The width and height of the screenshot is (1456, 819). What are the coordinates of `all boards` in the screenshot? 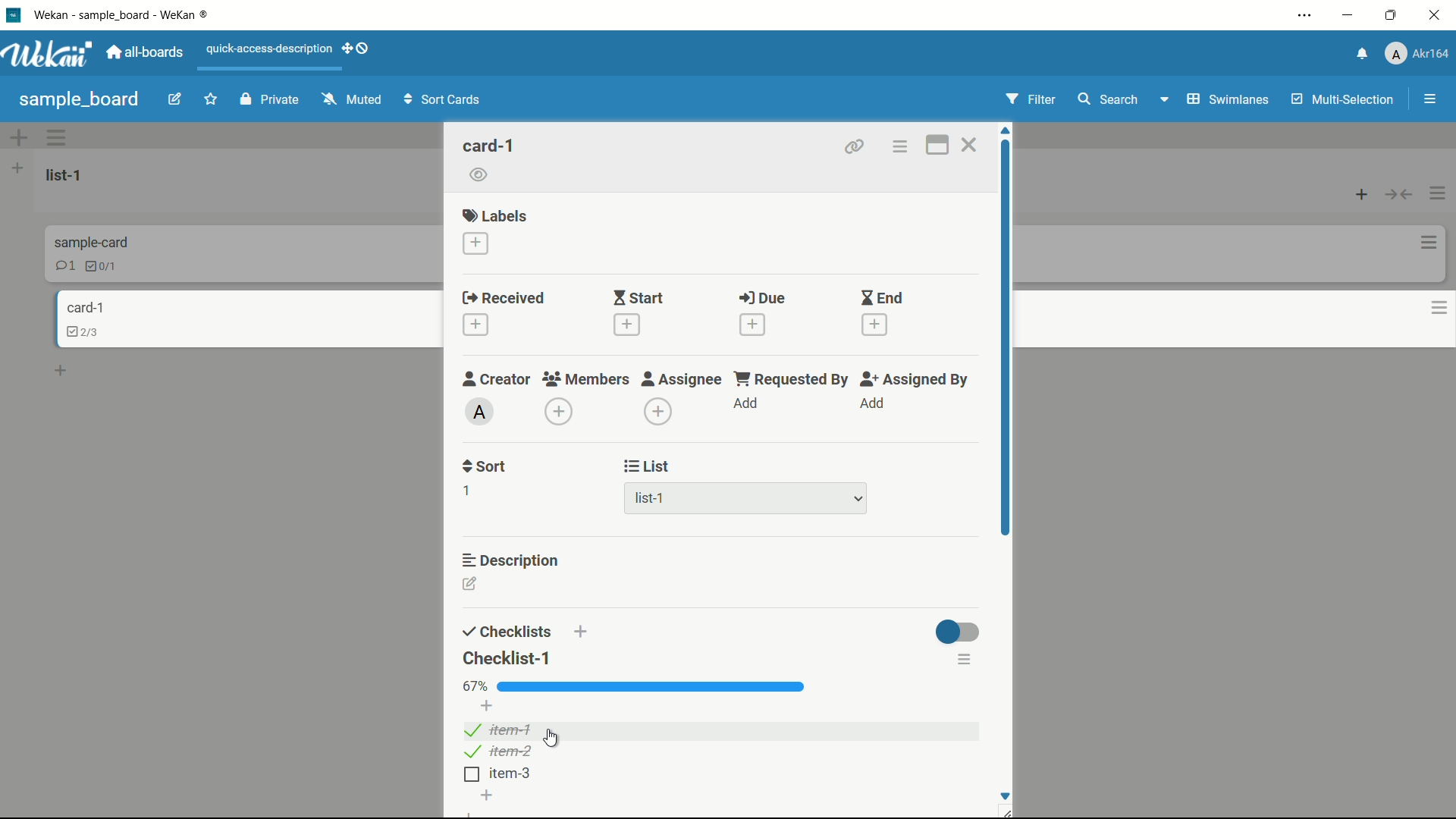 It's located at (145, 54).